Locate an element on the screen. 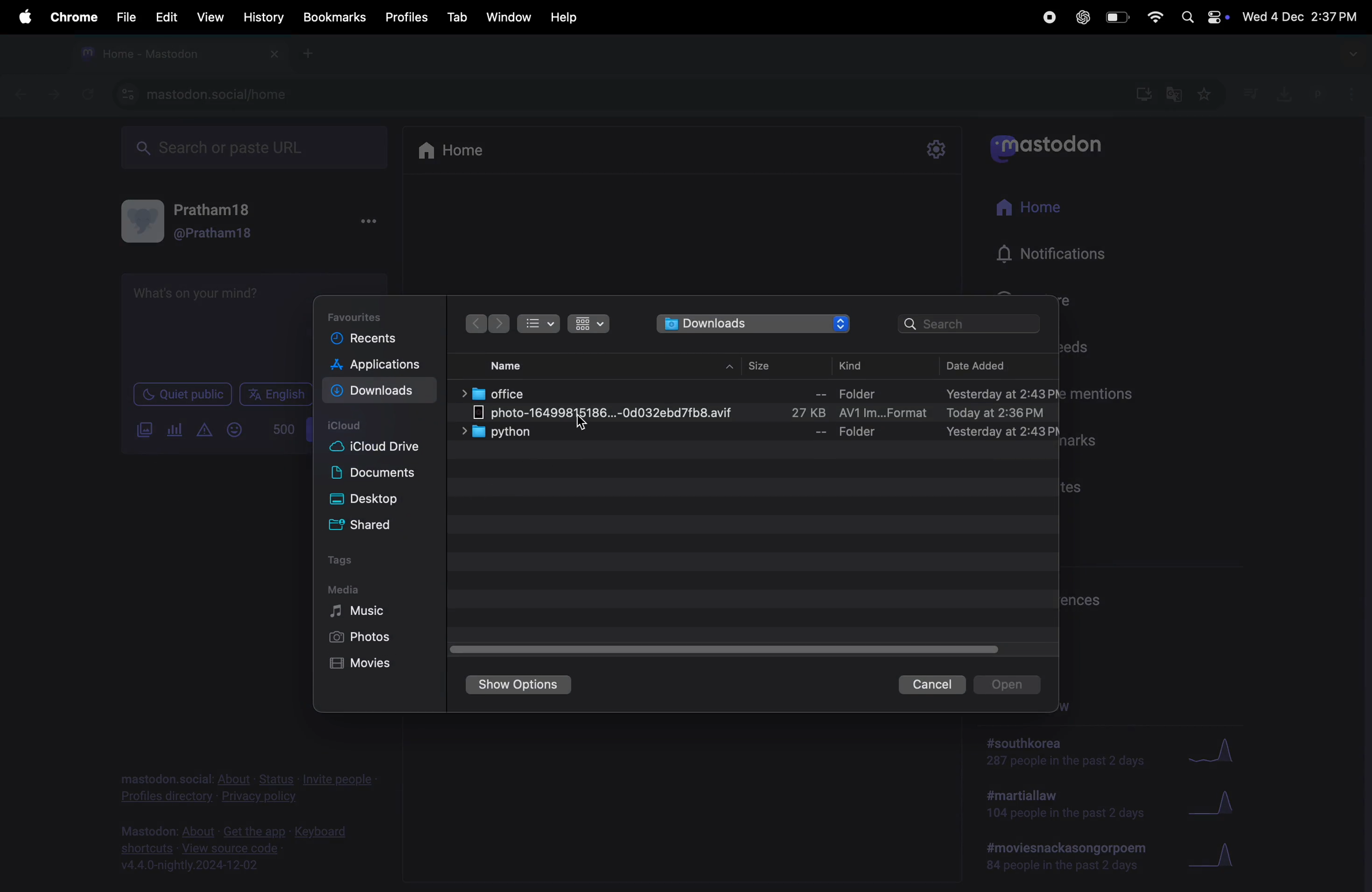 This screenshot has width=1372, height=892. Bookmarks is located at coordinates (336, 18).